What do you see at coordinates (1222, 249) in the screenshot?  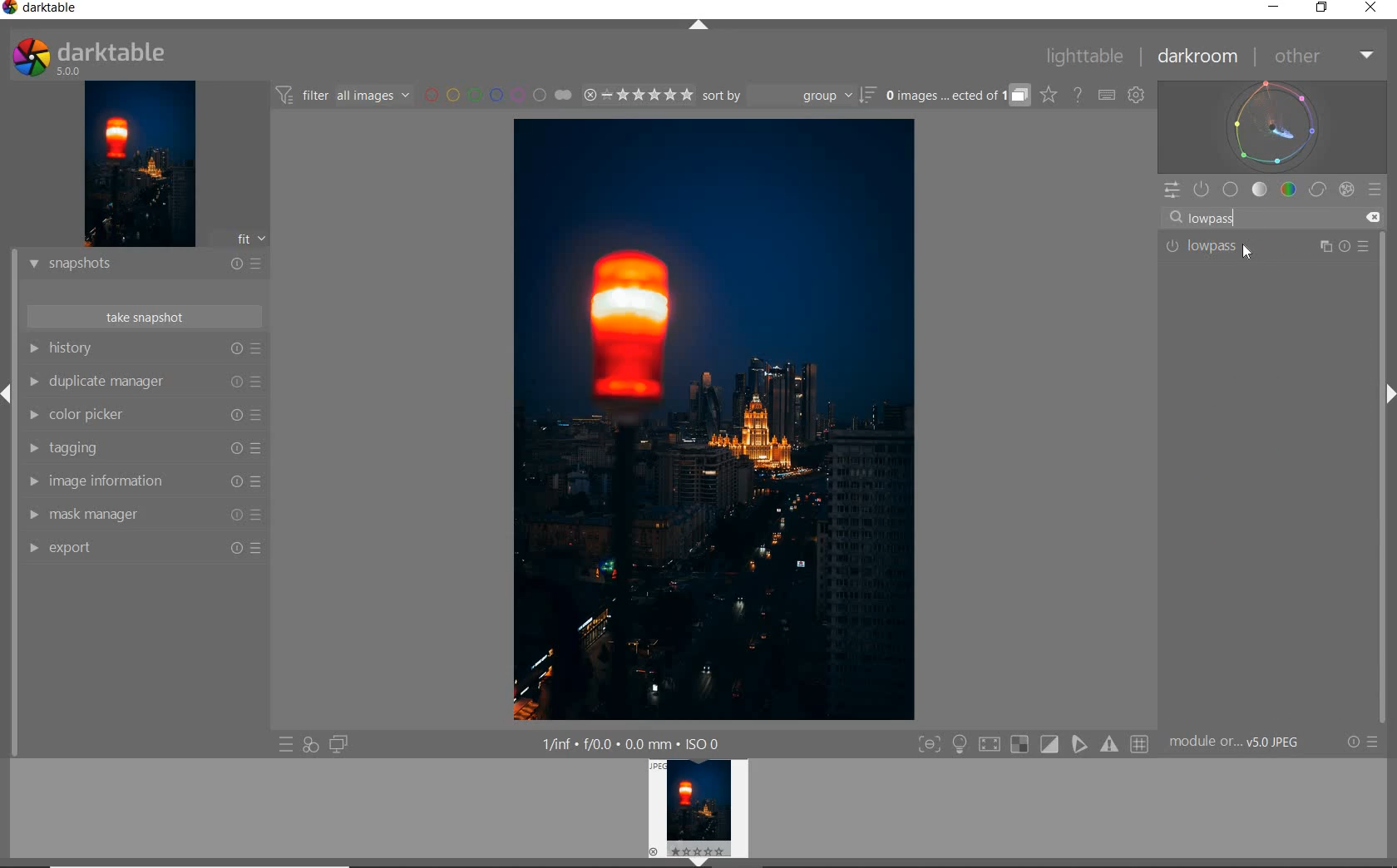 I see `LOWPASS` at bounding box center [1222, 249].